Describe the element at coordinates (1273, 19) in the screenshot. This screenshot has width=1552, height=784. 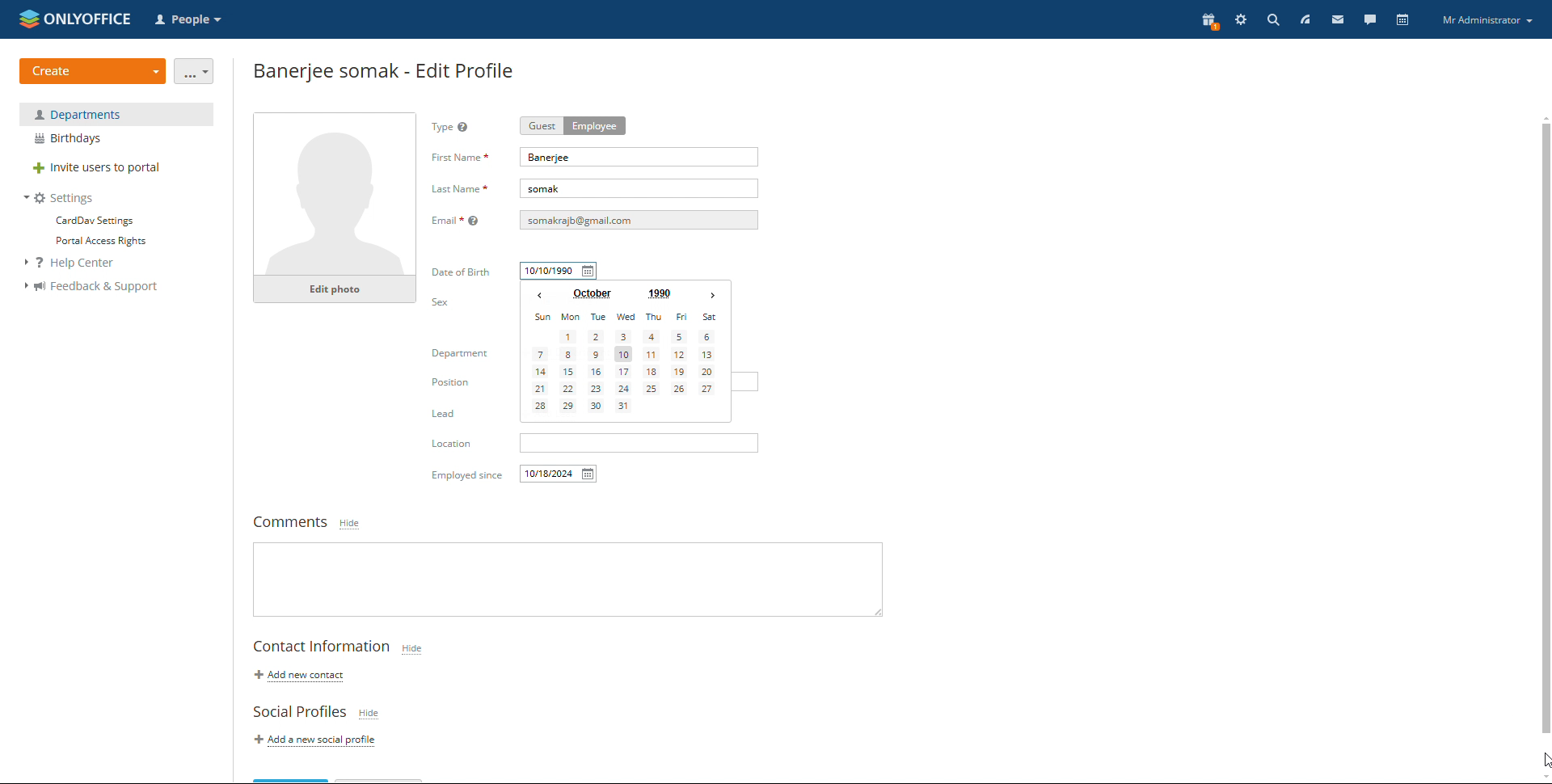
I see `search` at that location.